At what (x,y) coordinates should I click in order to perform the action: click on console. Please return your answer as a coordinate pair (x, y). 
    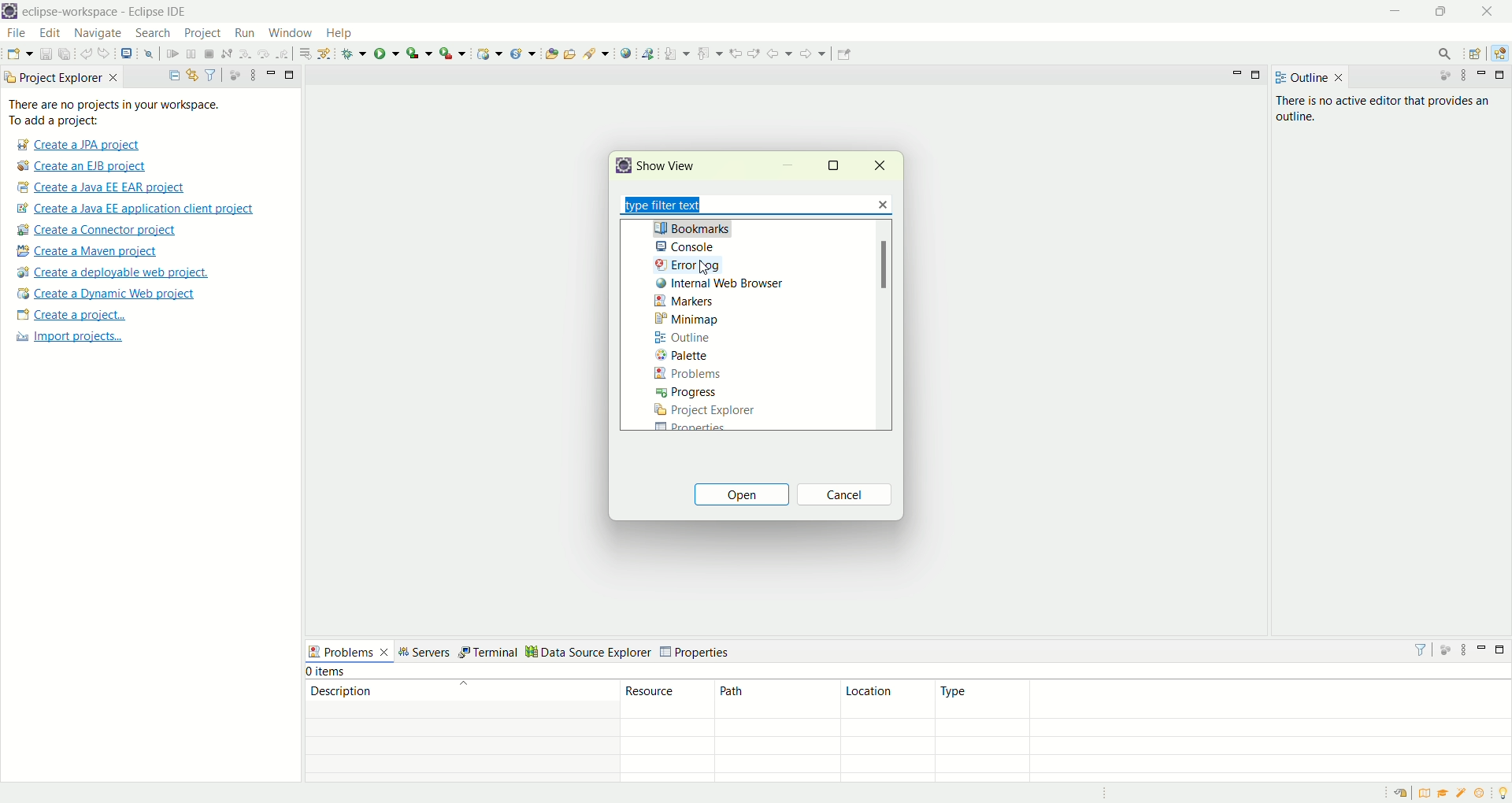
    Looking at the image, I should click on (689, 247).